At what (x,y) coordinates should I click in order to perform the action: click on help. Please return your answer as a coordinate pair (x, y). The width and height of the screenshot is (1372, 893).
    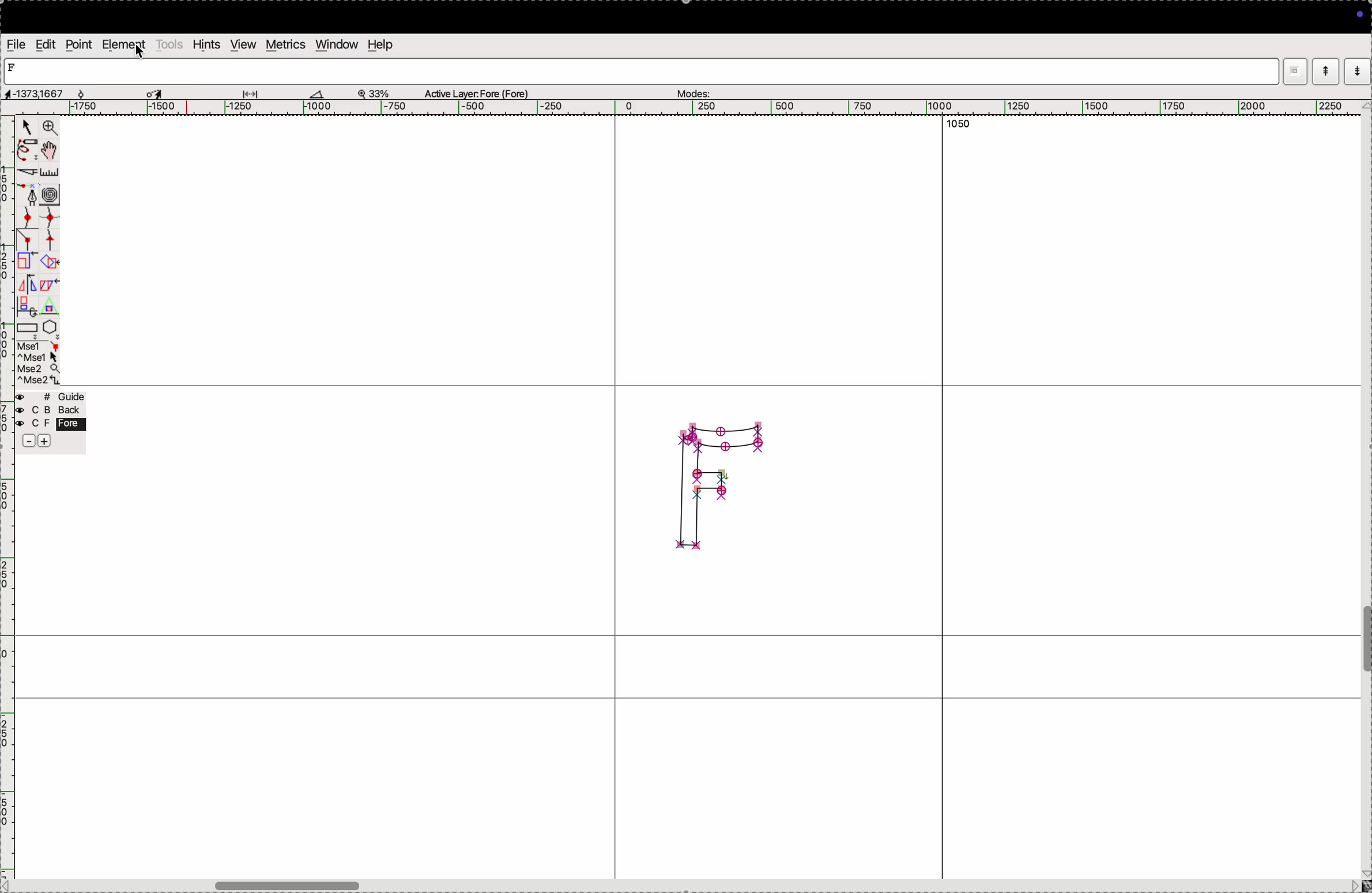
    Looking at the image, I should click on (379, 44).